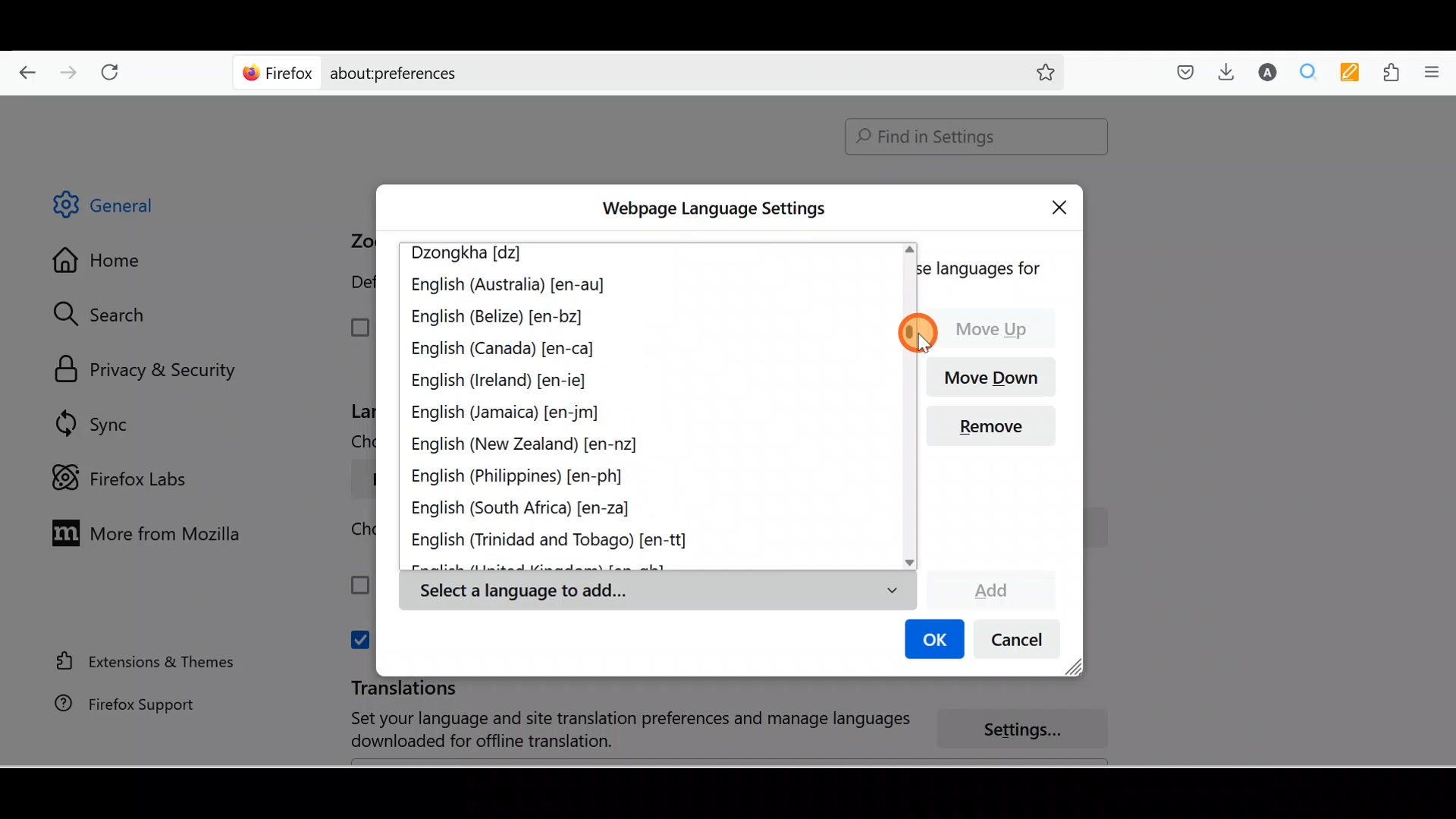 Image resolution: width=1456 pixels, height=819 pixels. I want to click on English (Philippines) [en-ph], so click(519, 479).